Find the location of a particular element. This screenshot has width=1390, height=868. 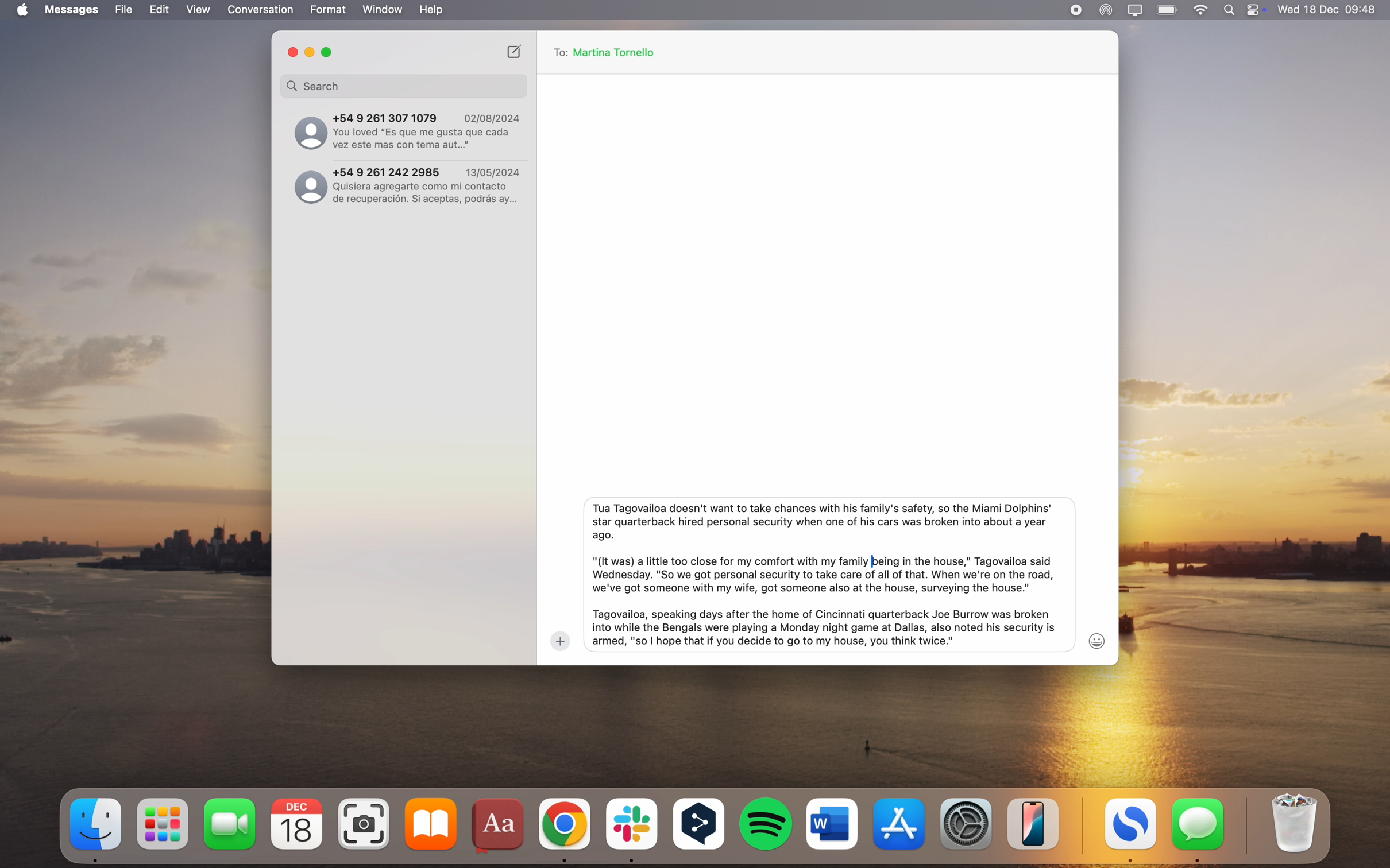

window is located at coordinates (383, 10).